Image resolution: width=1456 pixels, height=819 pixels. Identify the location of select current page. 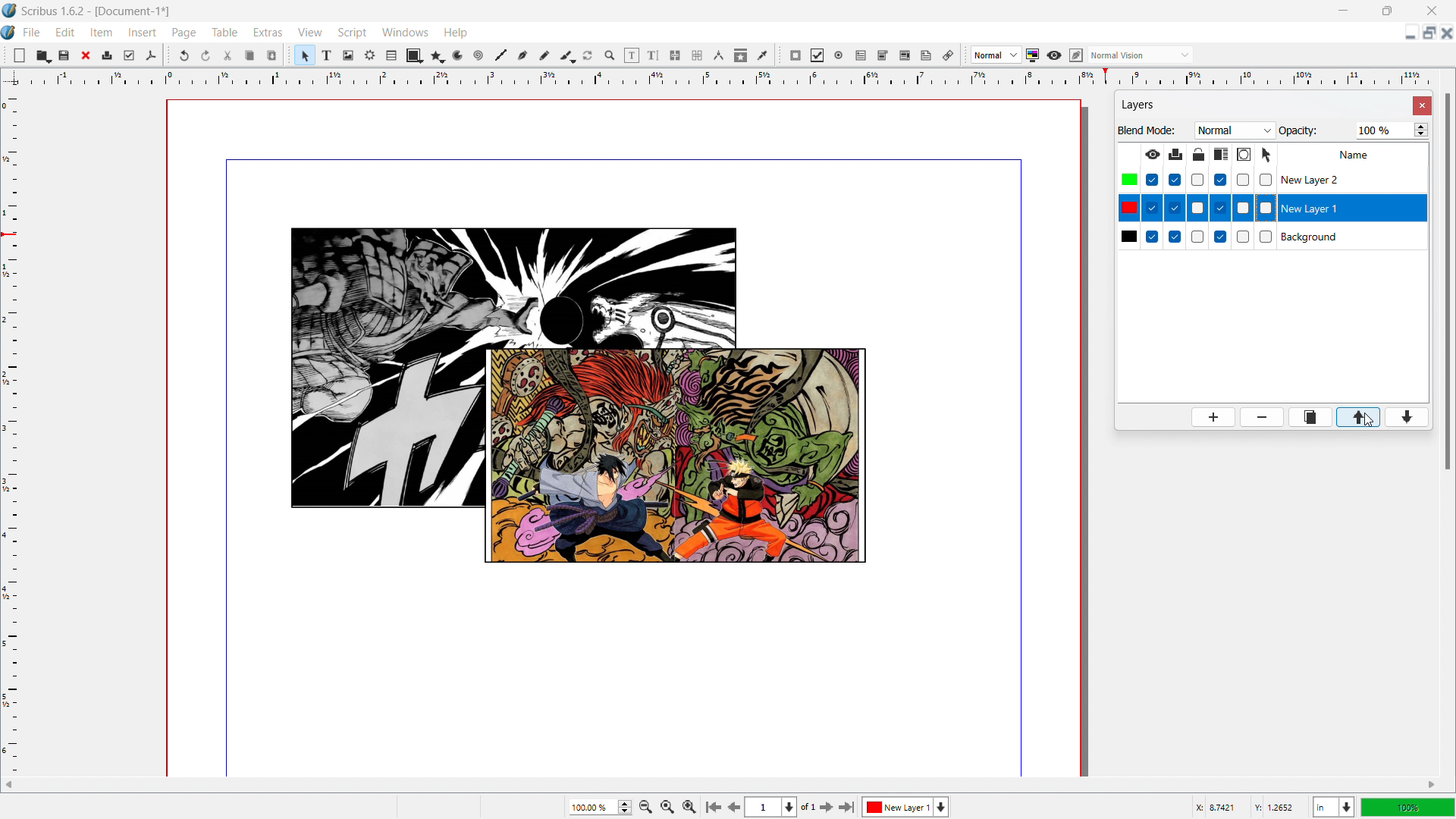
(772, 807).